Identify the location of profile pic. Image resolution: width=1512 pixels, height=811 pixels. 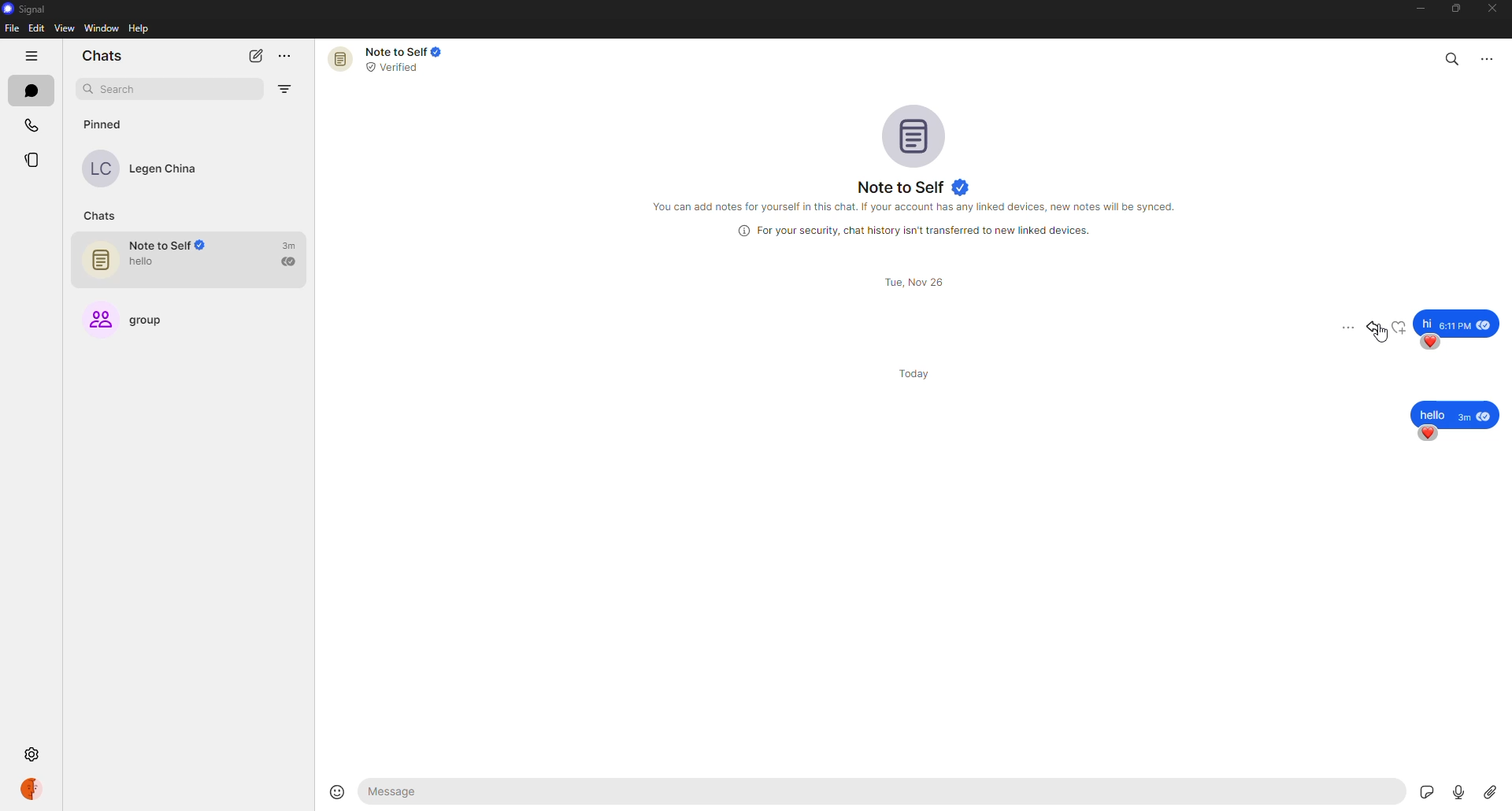
(912, 131).